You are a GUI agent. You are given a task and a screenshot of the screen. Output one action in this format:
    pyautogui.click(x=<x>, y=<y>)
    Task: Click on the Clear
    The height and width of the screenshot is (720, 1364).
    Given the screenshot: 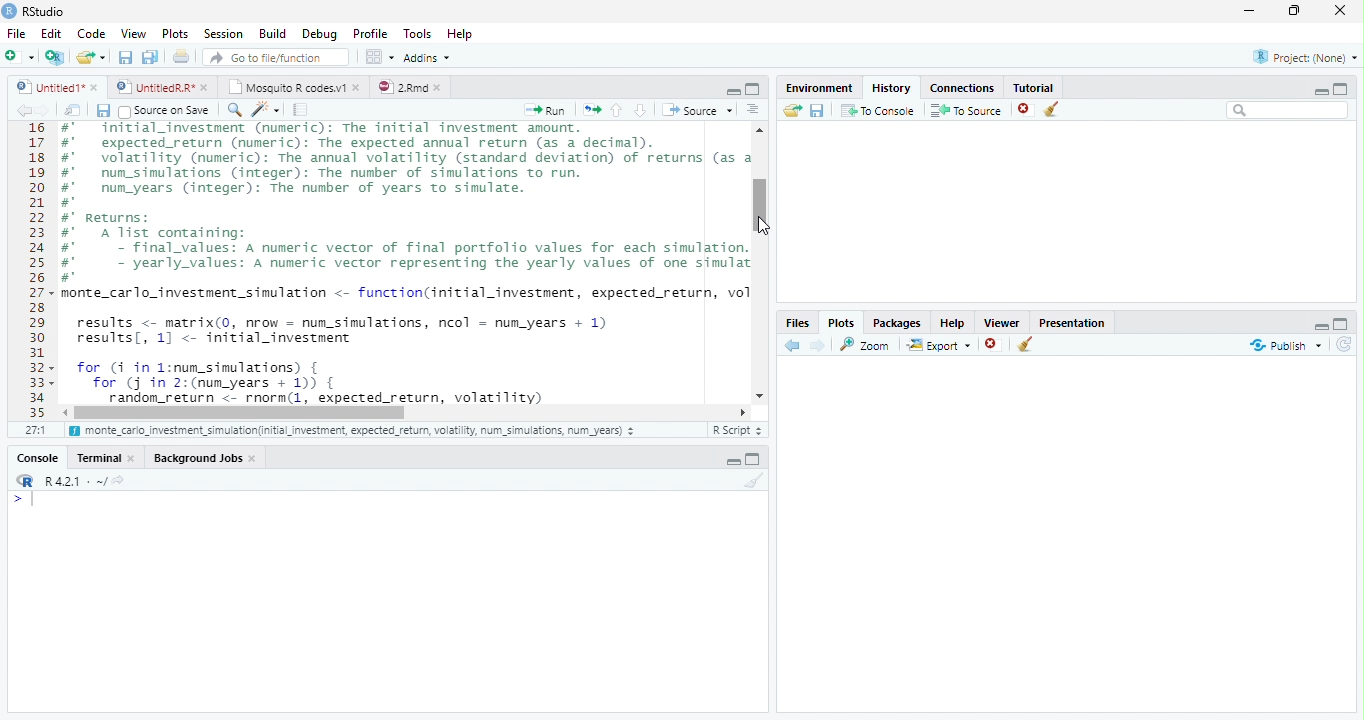 What is the action you would take?
    pyautogui.click(x=751, y=481)
    